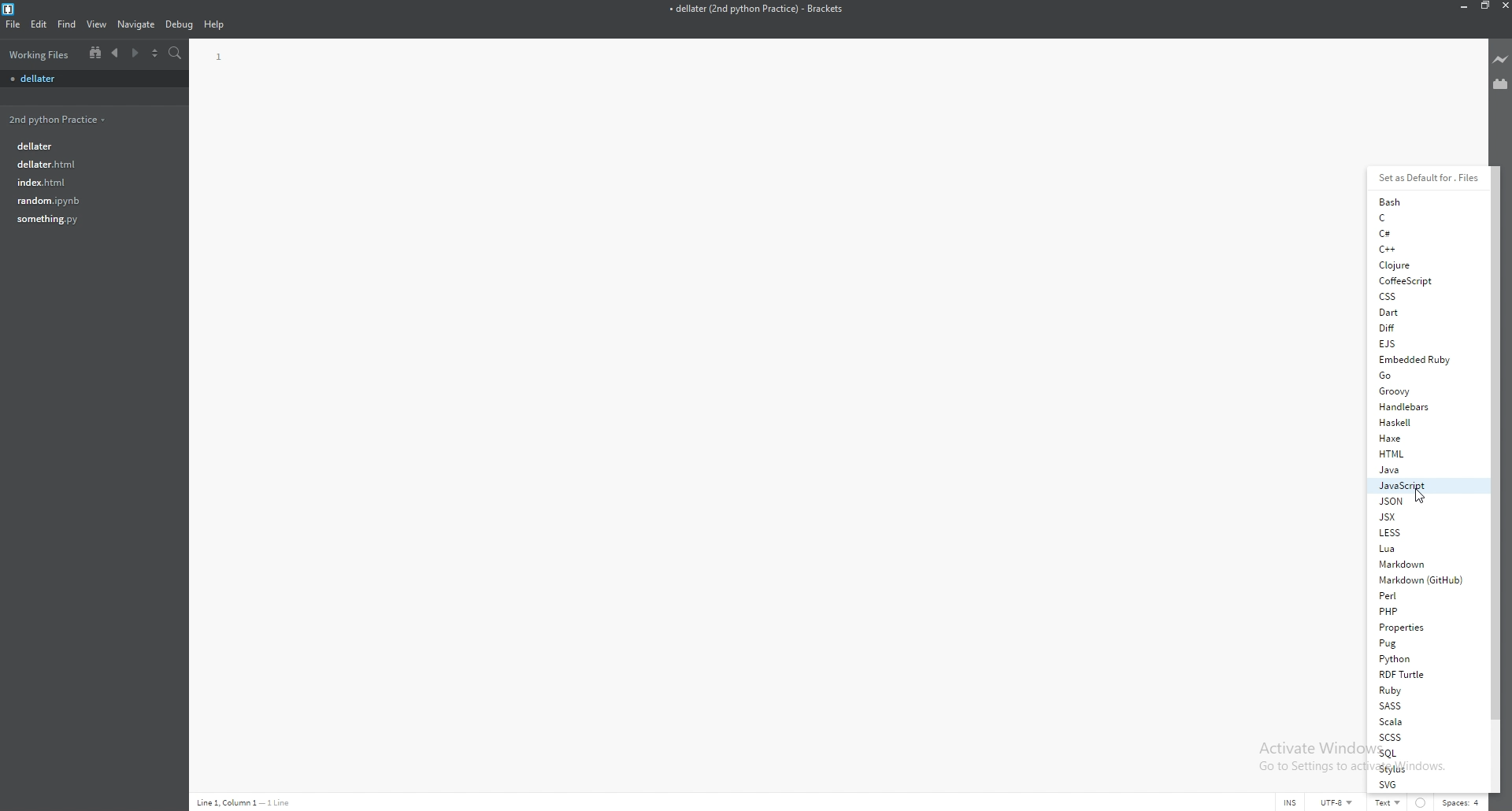  I want to click on next, so click(136, 53).